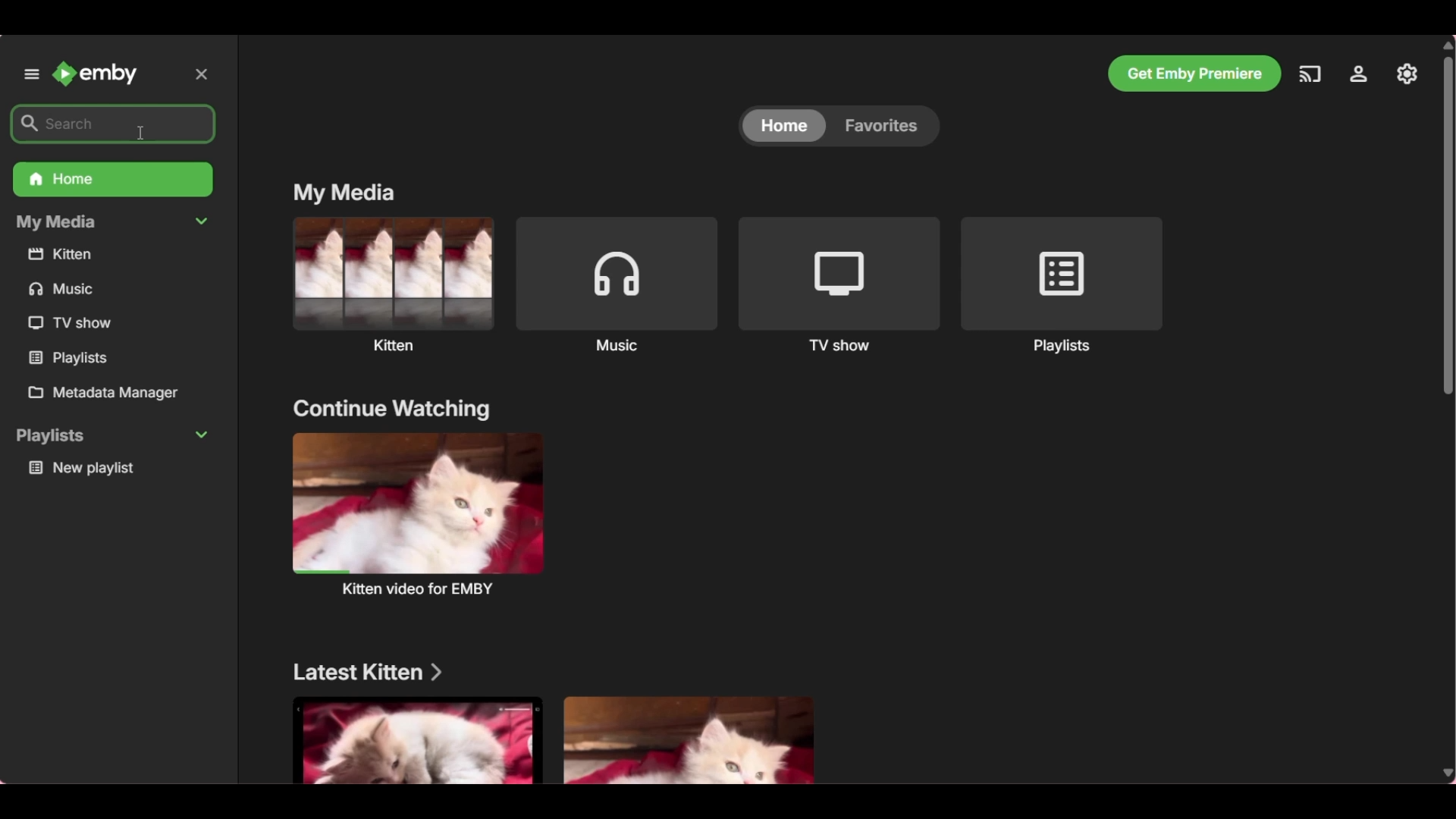 Image resolution: width=1456 pixels, height=819 pixels. I want to click on Vertical slide bar, so click(1449, 410).